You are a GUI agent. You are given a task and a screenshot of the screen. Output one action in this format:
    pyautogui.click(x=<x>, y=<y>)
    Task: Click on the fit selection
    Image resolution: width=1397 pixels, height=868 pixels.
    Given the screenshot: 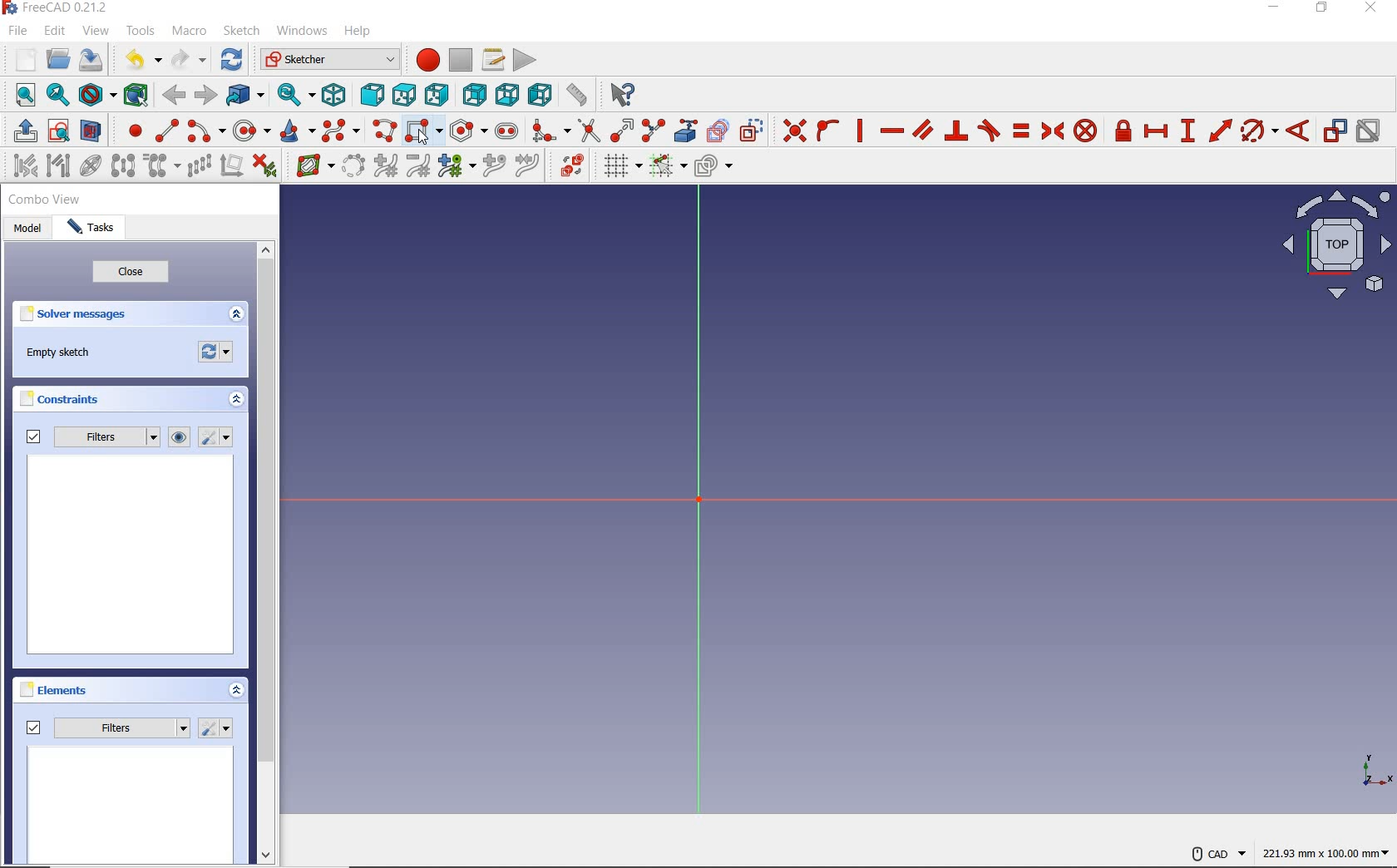 What is the action you would take?
    pyautogui.click(x=58, y=96)
    